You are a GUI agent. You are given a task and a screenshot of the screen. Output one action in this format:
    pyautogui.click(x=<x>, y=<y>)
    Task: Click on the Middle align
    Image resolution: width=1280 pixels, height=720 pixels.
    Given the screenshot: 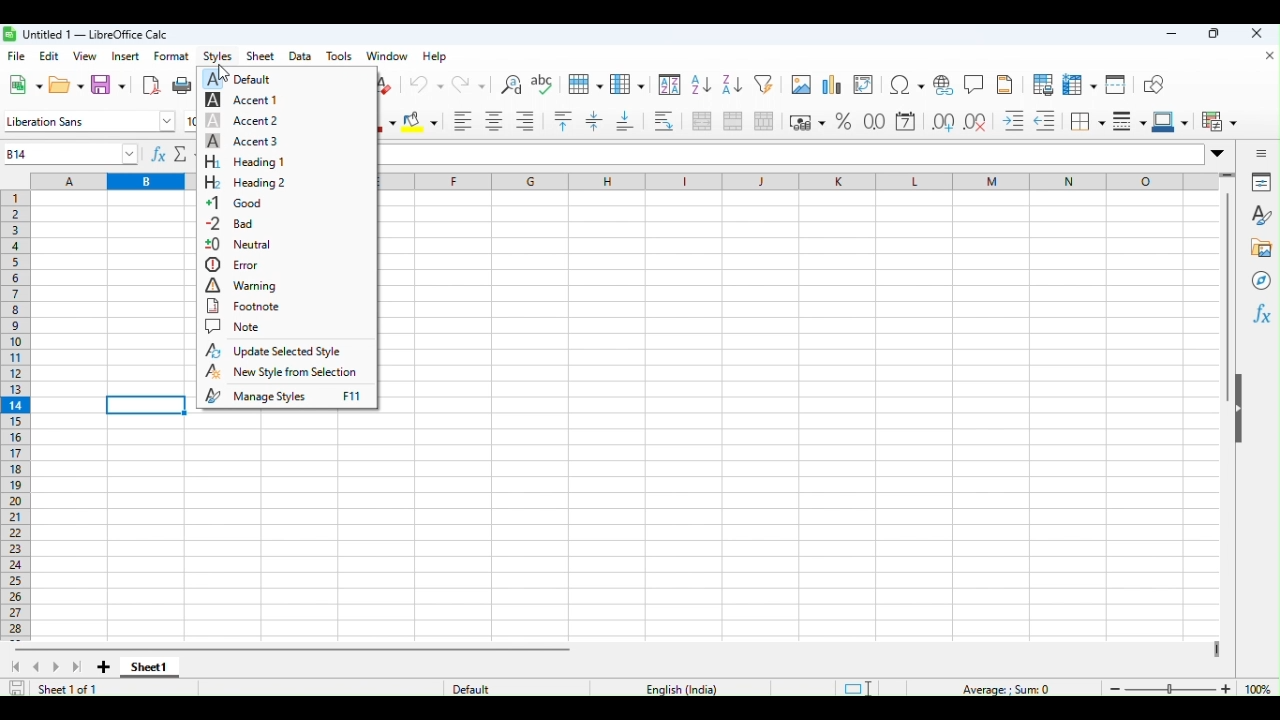 What is the action you would take?
    pyautogui.click(x=591, y=125)
    